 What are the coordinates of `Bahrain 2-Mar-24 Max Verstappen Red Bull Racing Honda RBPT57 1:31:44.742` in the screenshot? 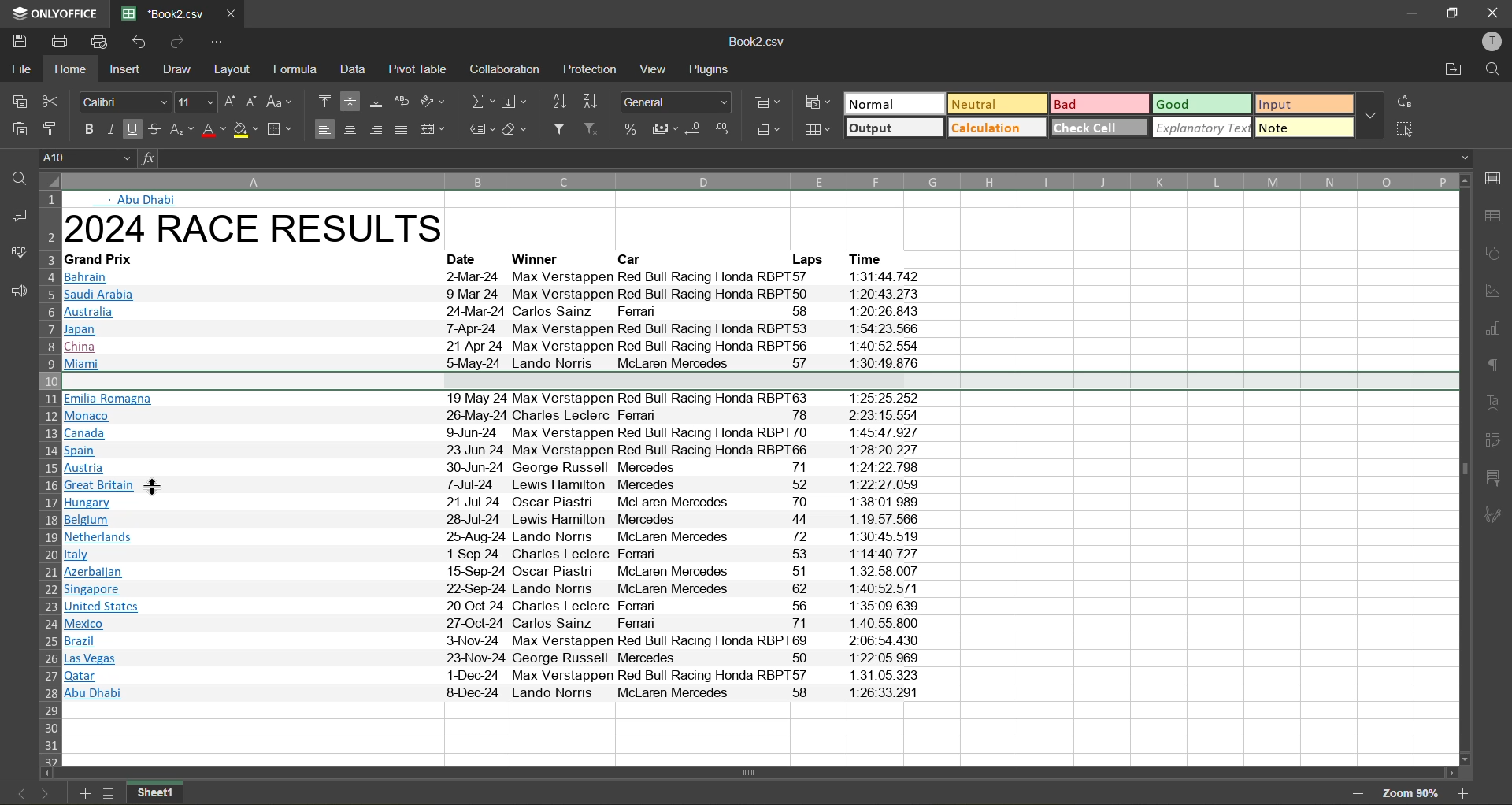 It's located at (495, 277).